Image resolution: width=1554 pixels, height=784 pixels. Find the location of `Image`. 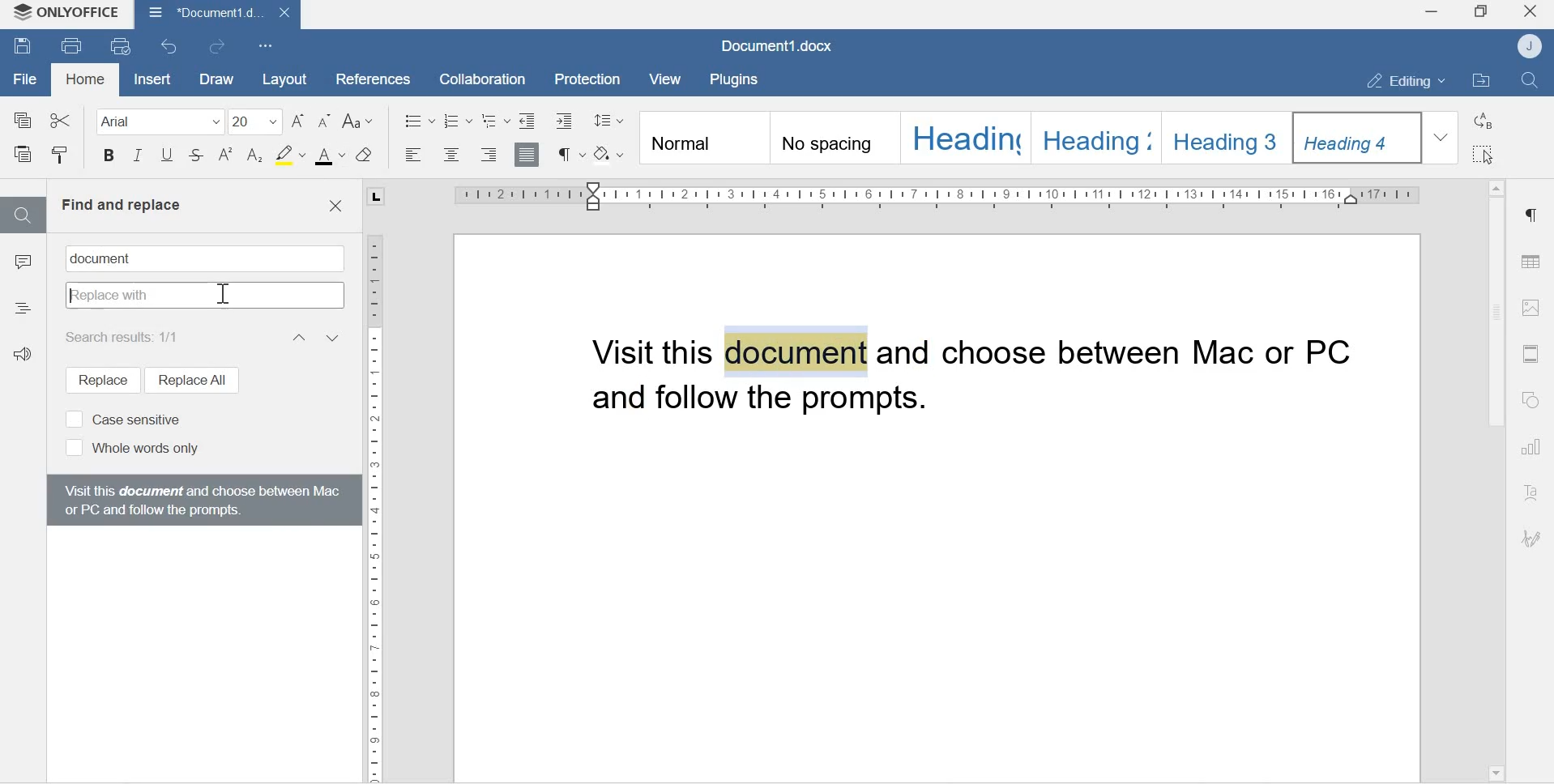

Image is located at coordinates (1531, 307).